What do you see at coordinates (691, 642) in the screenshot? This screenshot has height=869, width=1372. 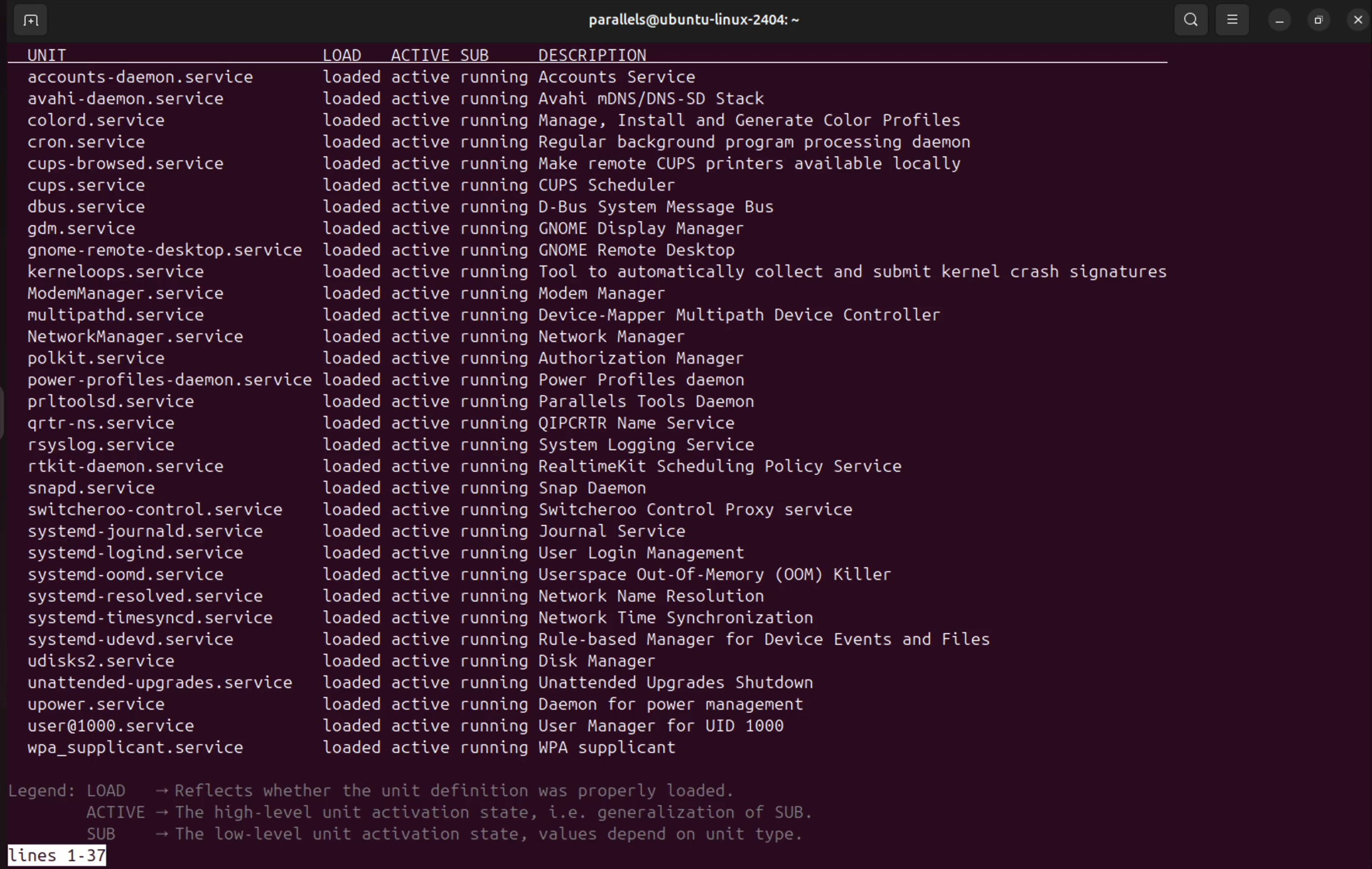 I see `active running ` at bounding box center [691, 642].